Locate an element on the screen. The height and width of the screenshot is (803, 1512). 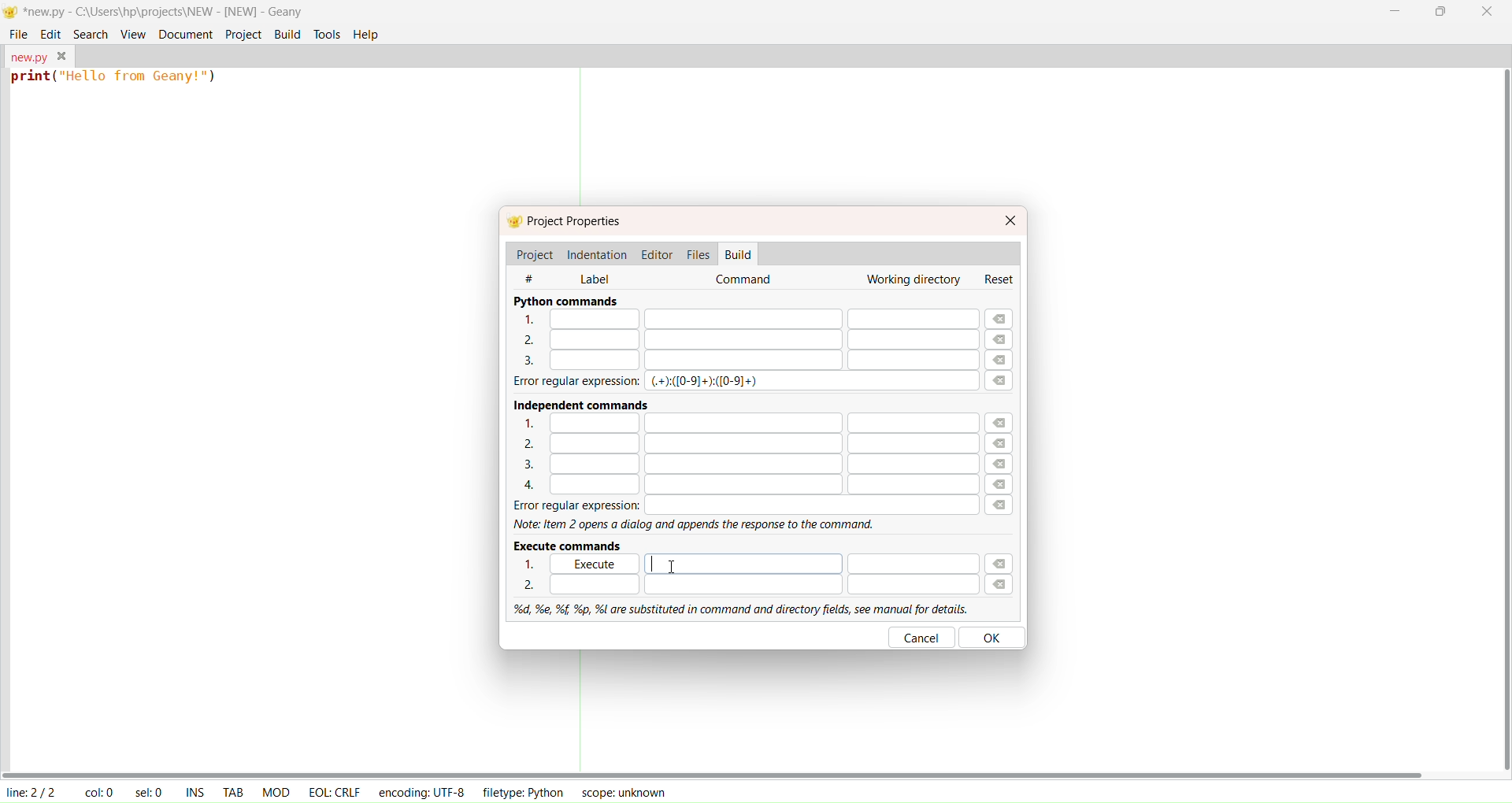
working directory is located at coordinates (911, 280).